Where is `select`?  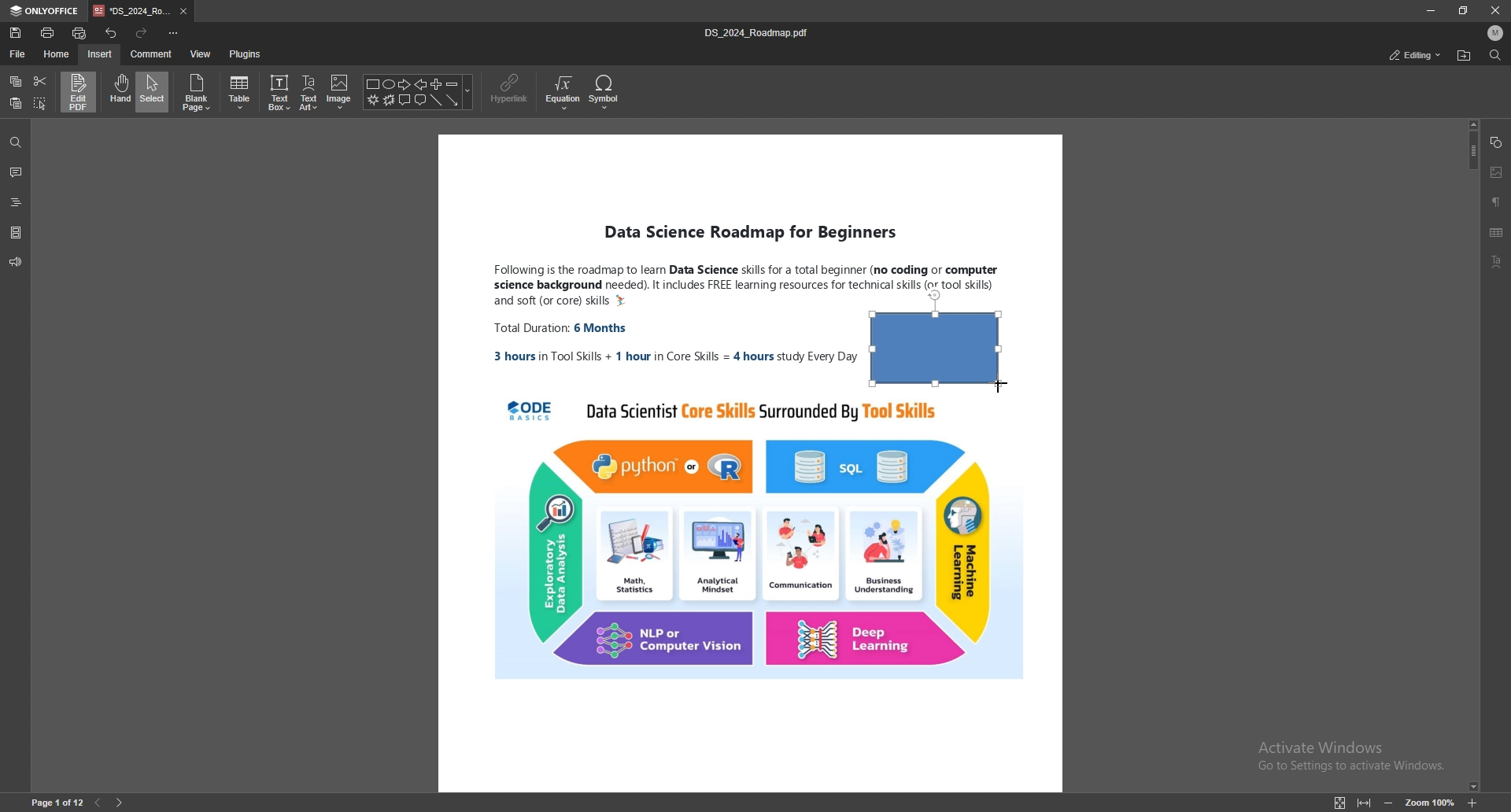
select is located at coordinates (153, 91).